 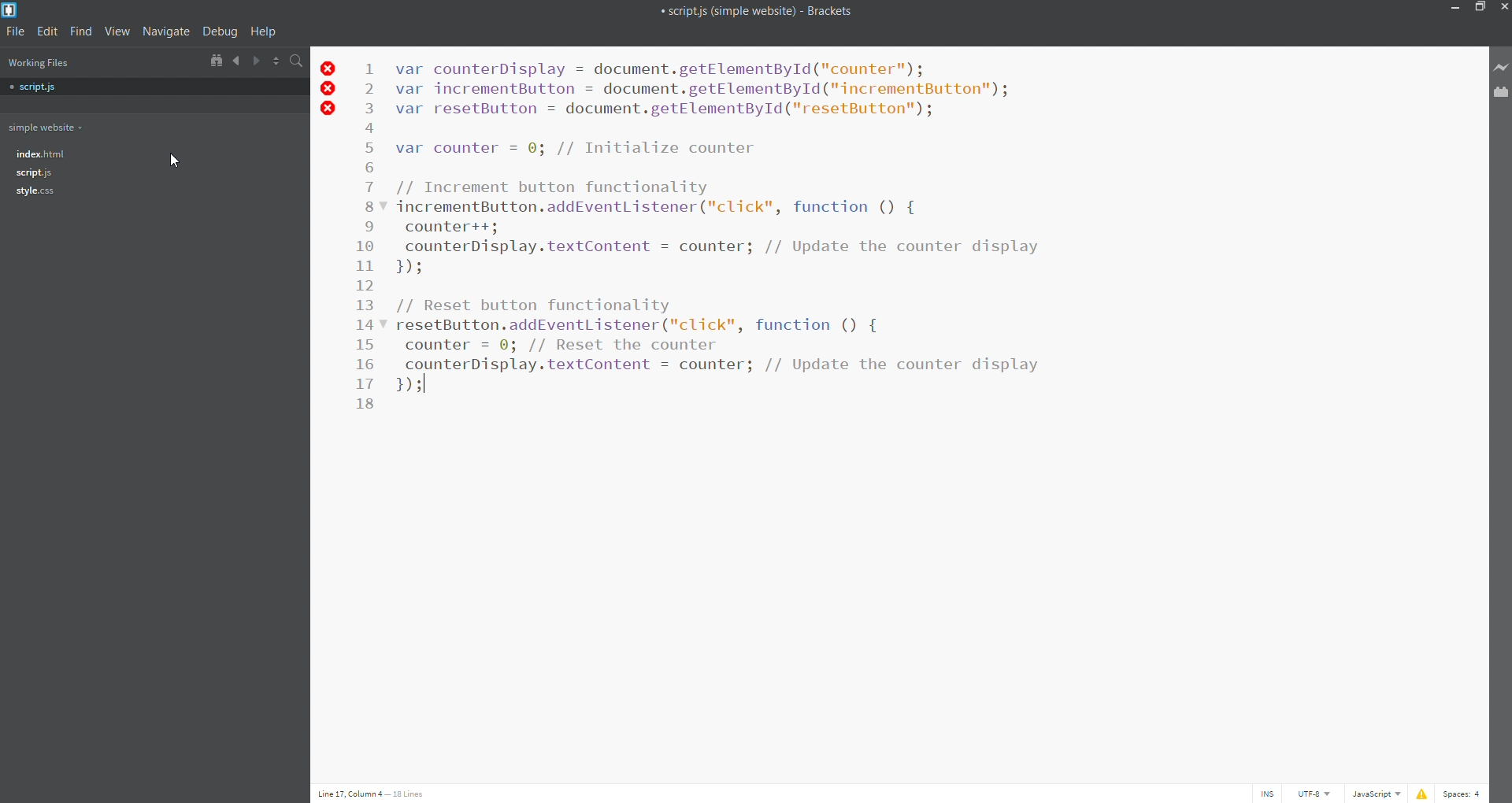 I want to click on minimize, so click(x=1458, y=9).